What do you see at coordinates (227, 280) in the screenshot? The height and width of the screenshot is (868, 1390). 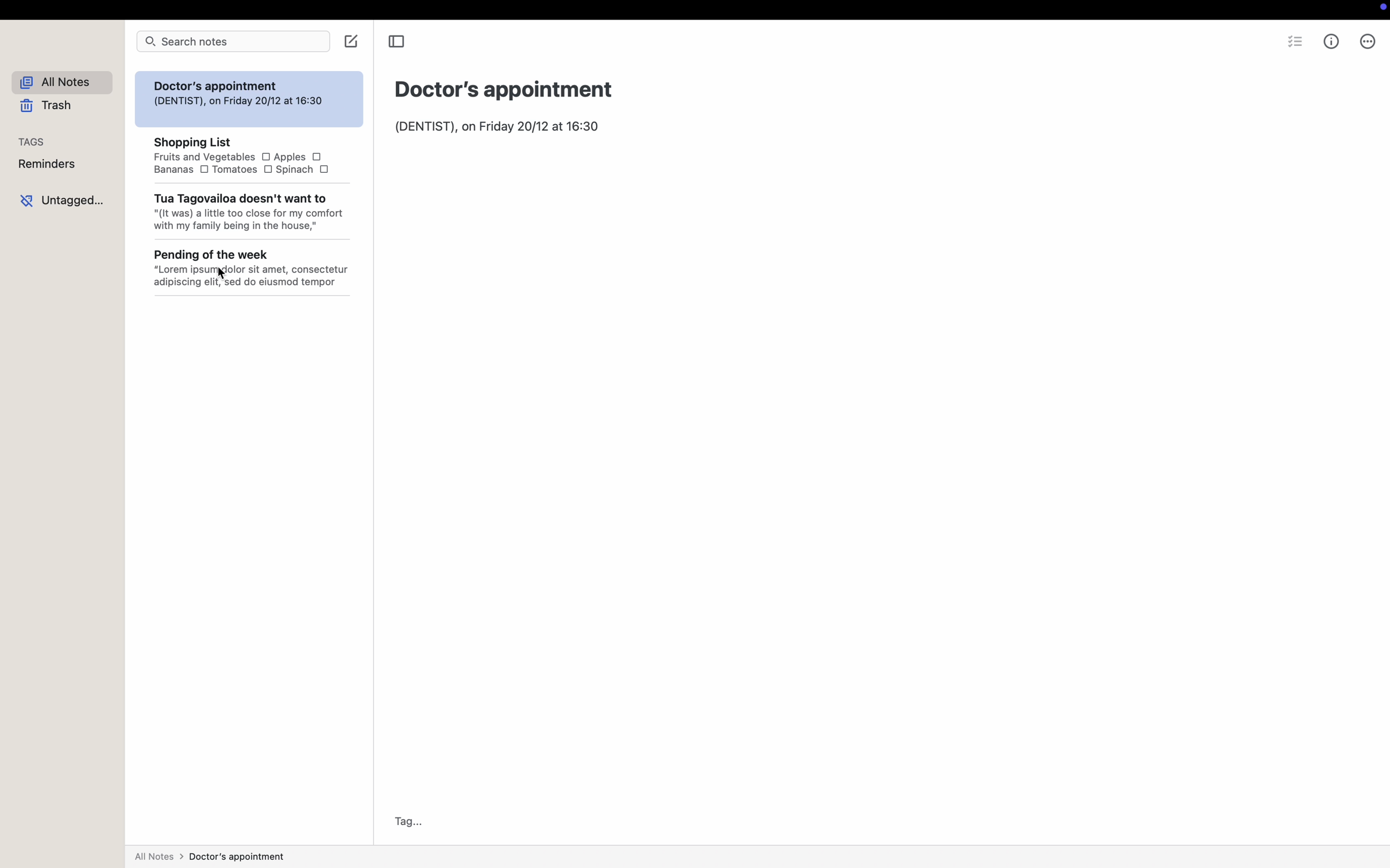 I see `cursor` at bounding box center [227, 280].